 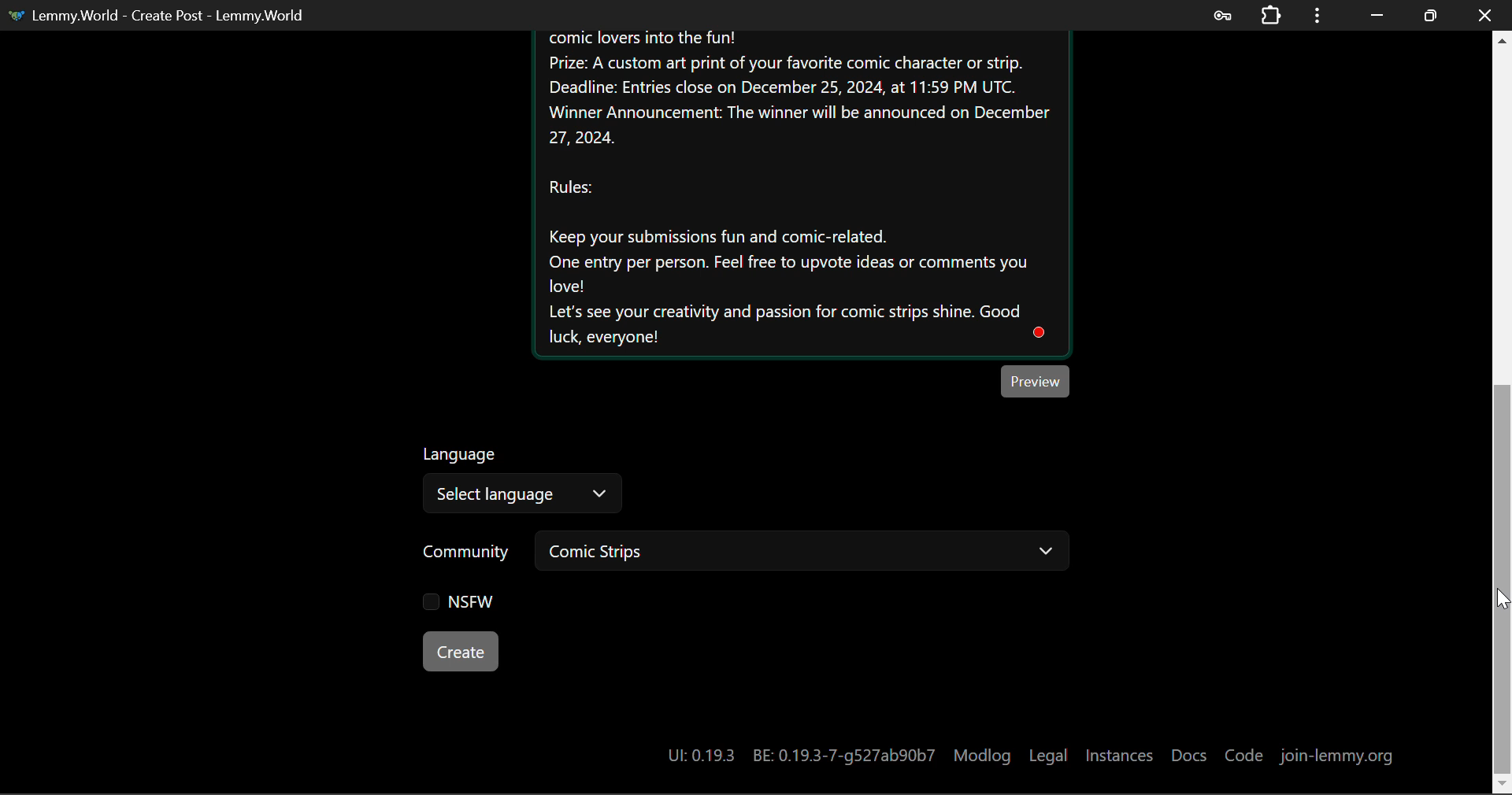 What do you see at coordinates (1377, 14) in the screenshot?
I see `Restore Down` at bounding box center [1377, 14].